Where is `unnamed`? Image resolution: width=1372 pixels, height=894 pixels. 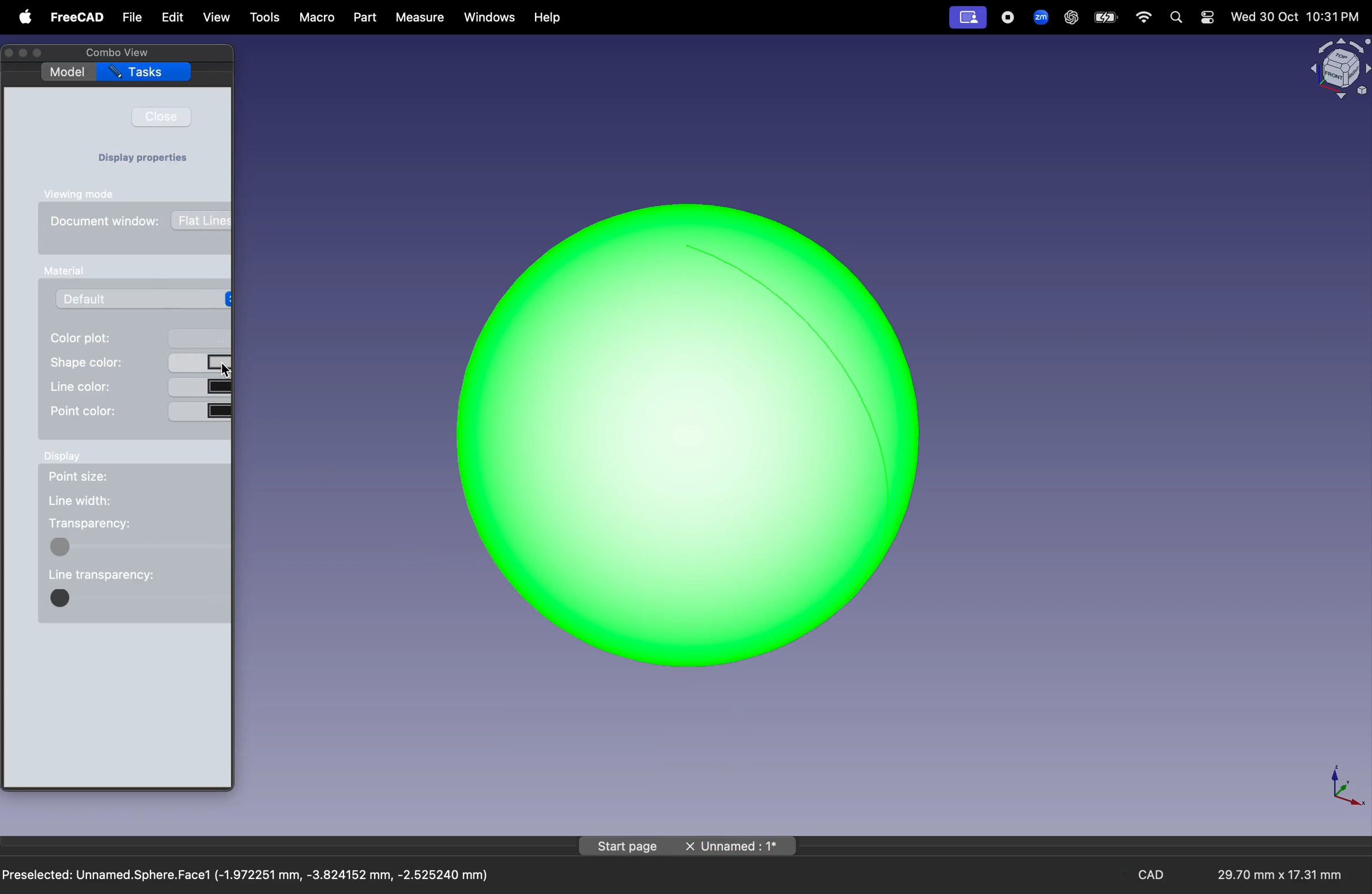
unnamed is located at coordinates (740, 847).